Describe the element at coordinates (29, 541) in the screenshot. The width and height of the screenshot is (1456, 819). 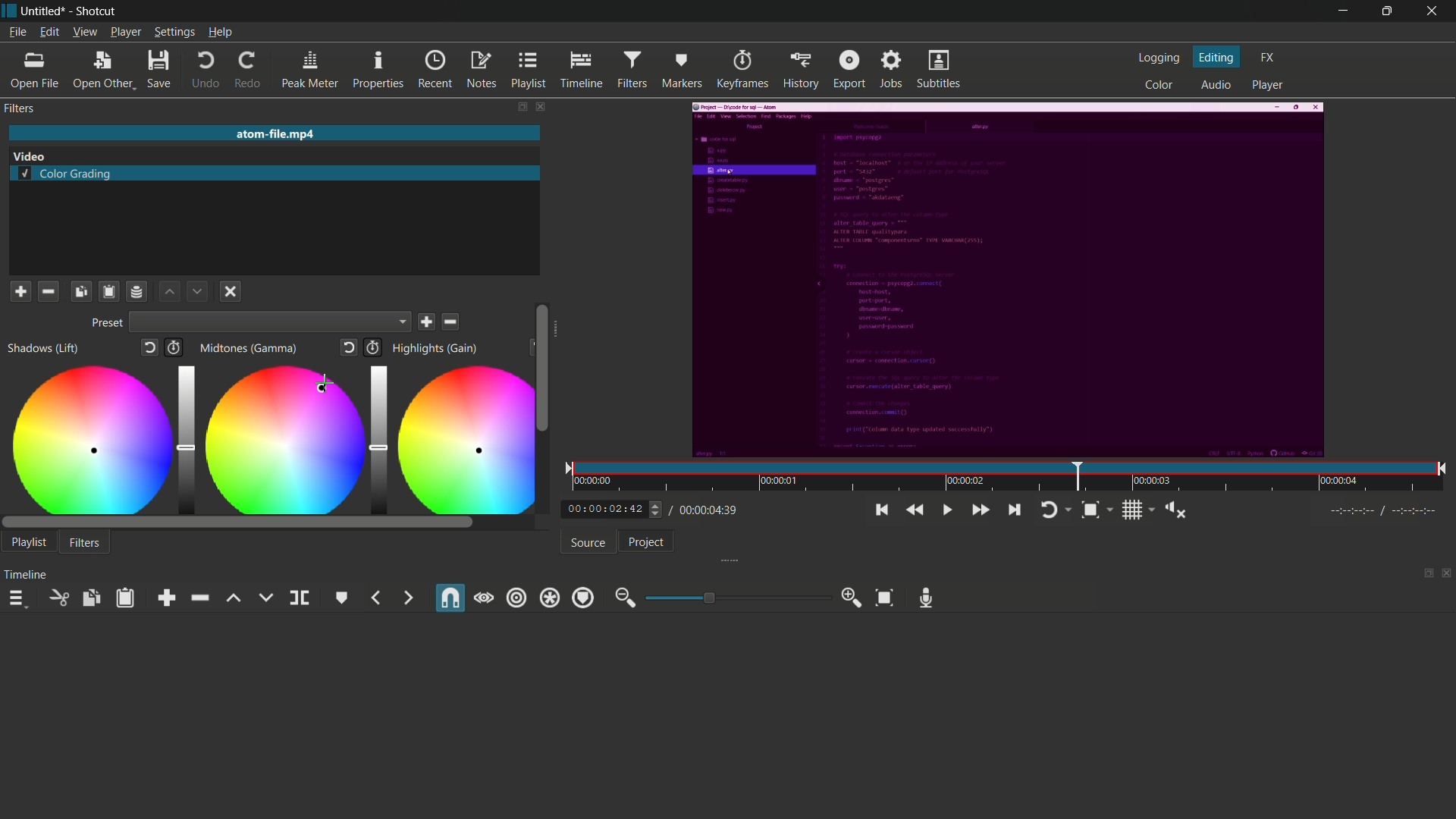
I see `playlist` at that location.